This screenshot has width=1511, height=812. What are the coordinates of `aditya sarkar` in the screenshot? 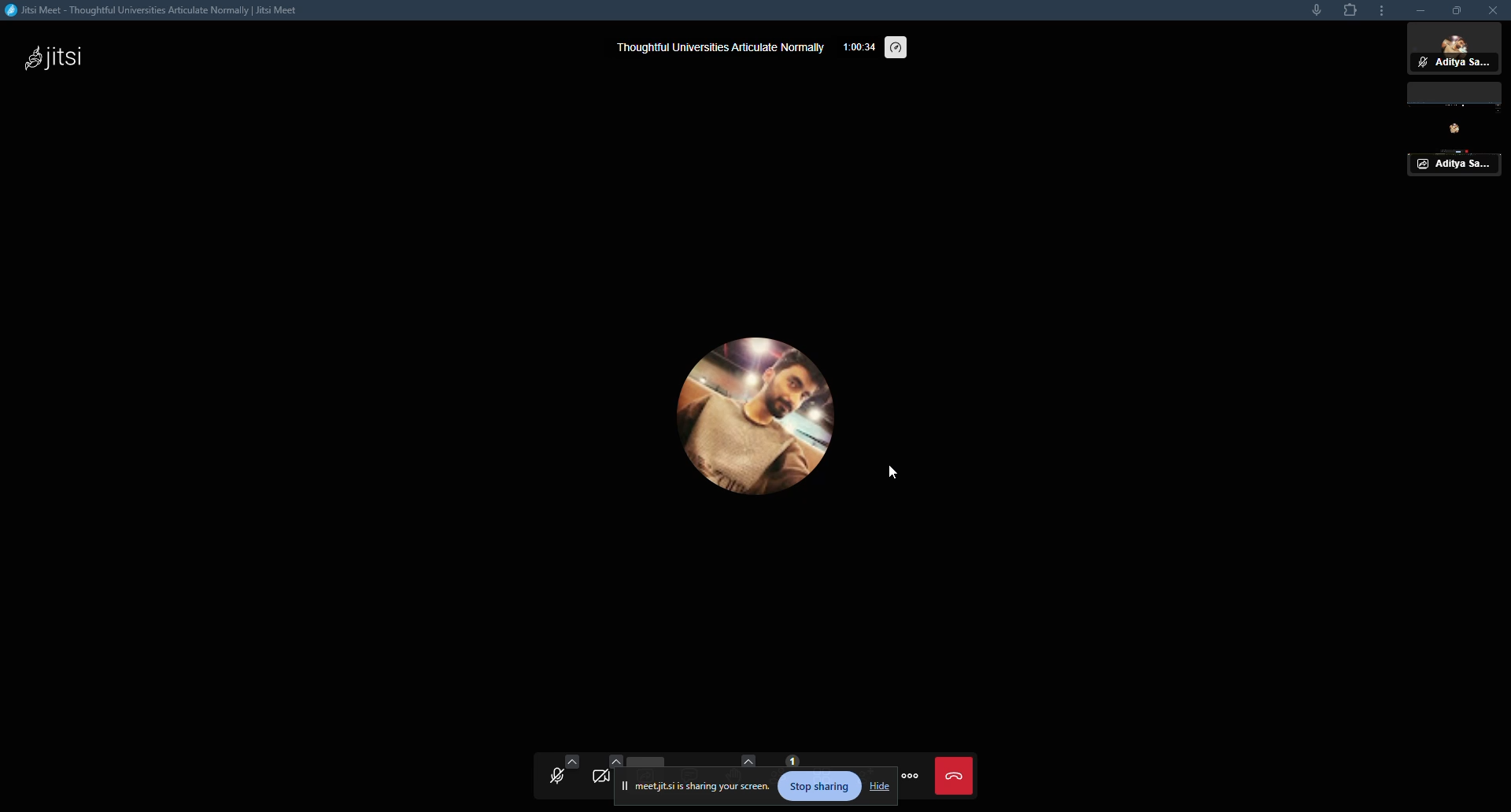 It's located at (1455, 52).